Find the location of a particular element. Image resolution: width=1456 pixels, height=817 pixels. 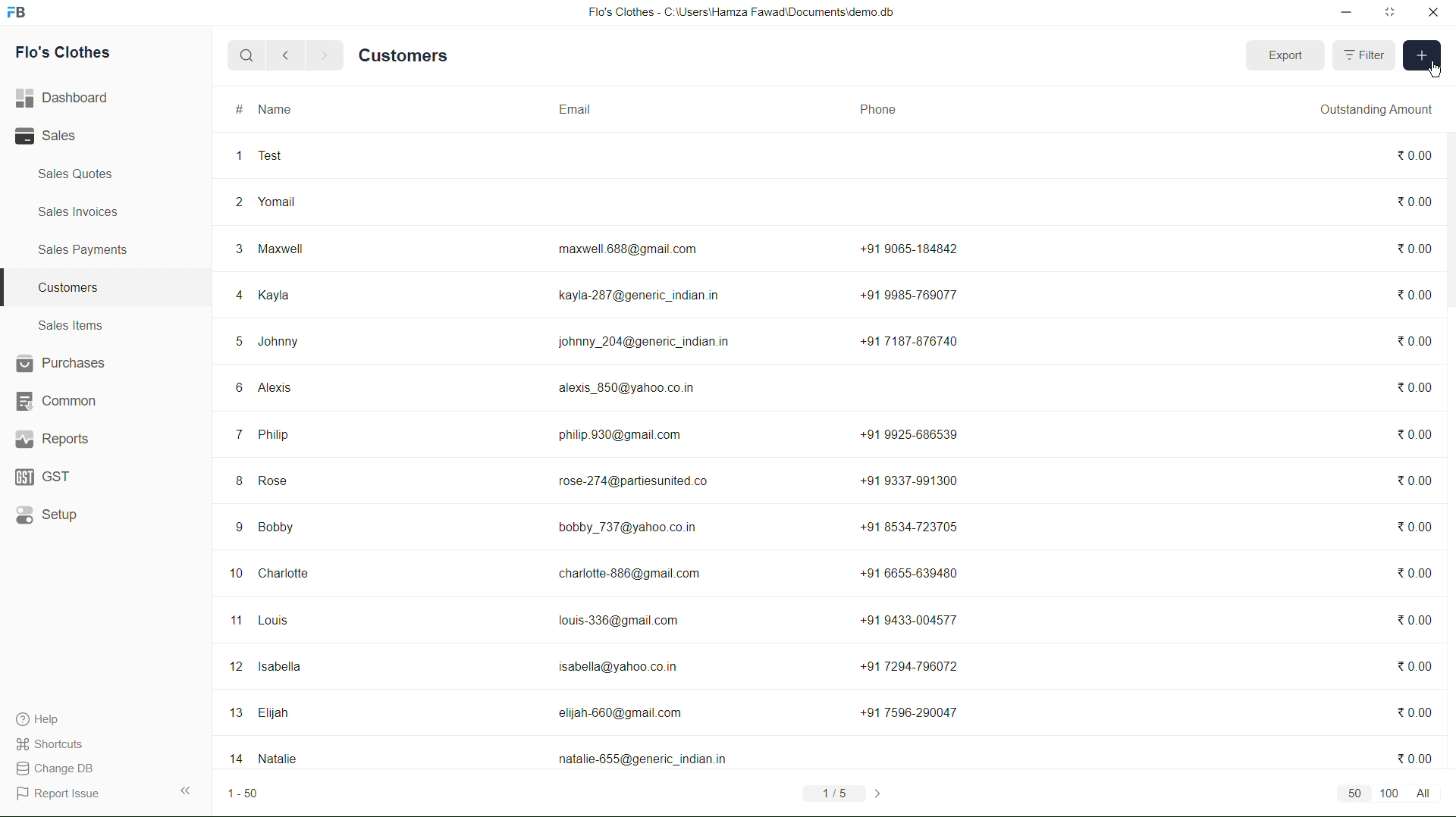

maximize is located at coordinates (1392, 14).